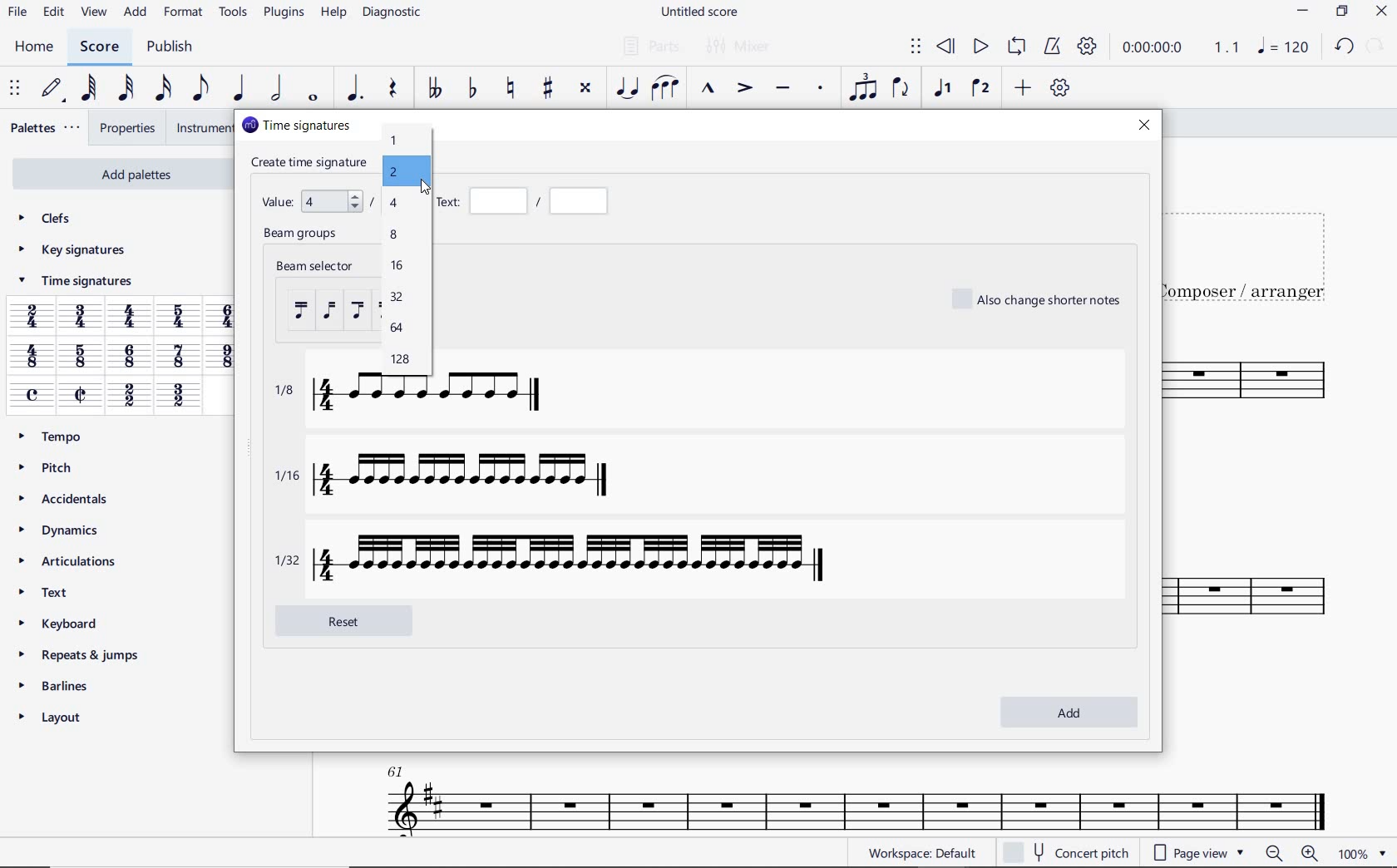 The width and height of the screenshot is (1397, 868). Describe the element at coordinates (54, 12) in the screenshot. I see `EDIT` at that location.